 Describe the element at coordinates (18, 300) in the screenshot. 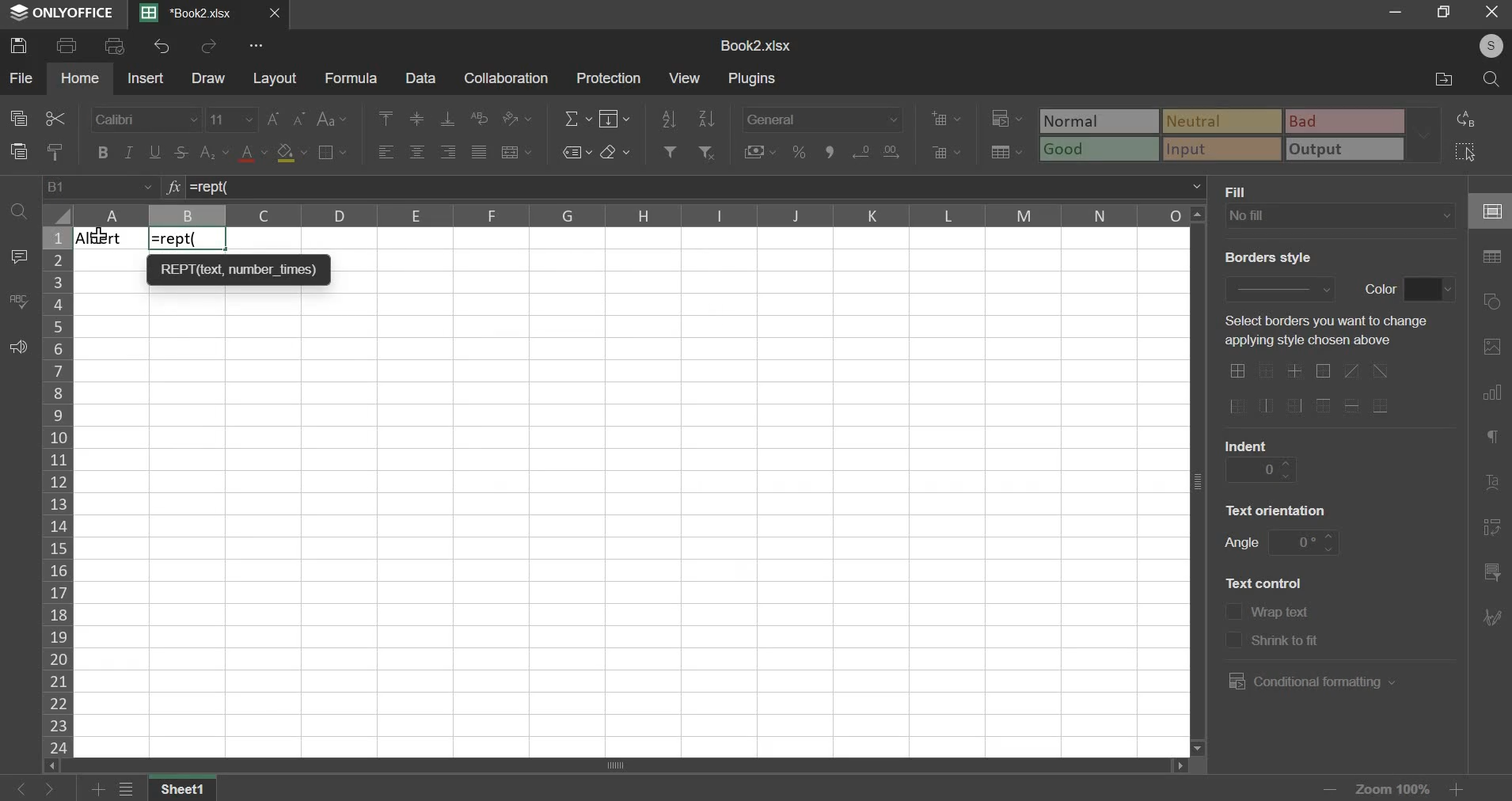

I see `spelling` at that location.